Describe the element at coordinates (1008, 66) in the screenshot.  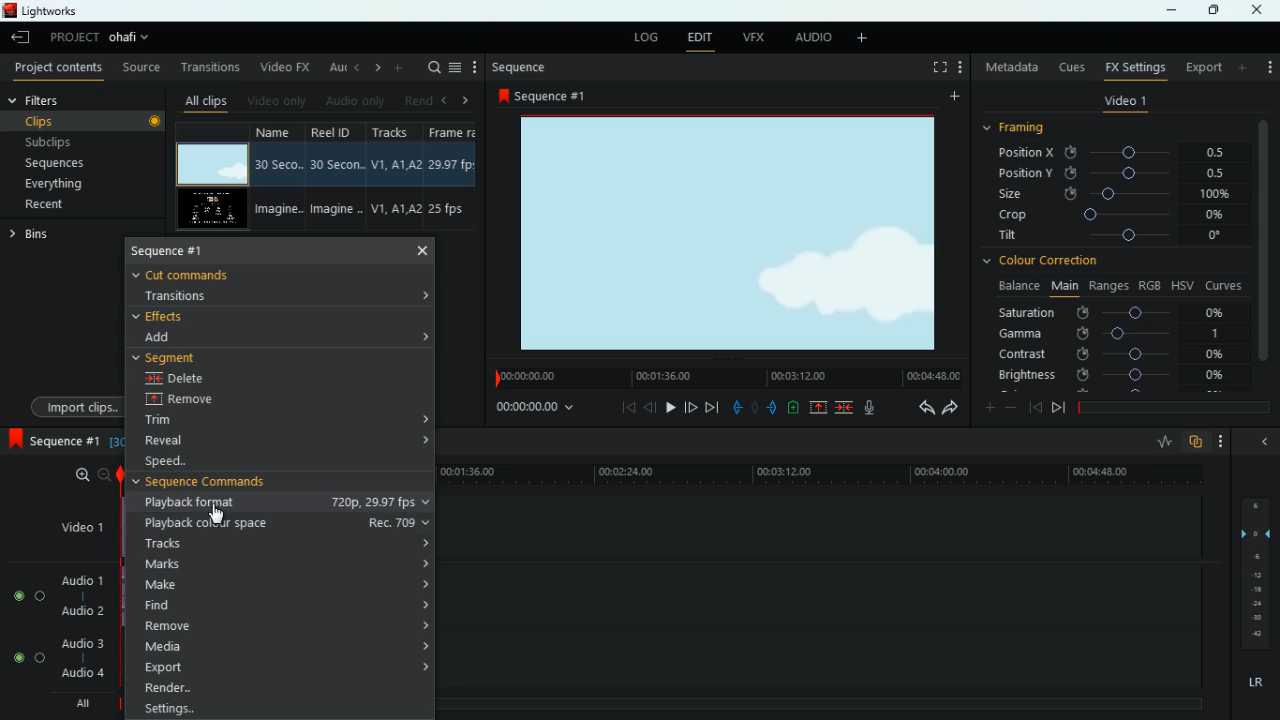
I see `metadata` at that location.